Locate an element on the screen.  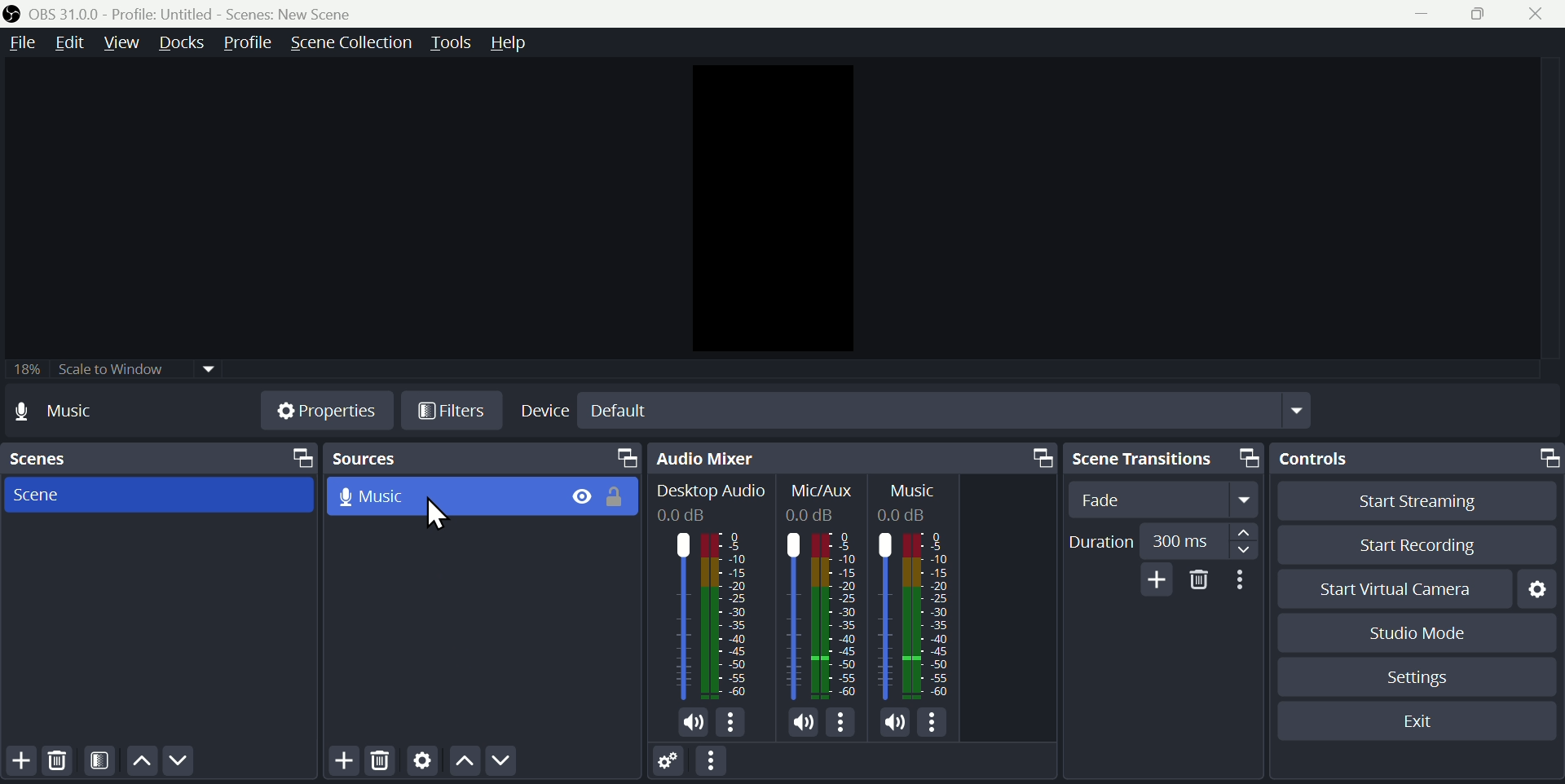
Settings is located at coordinates (421, 764).